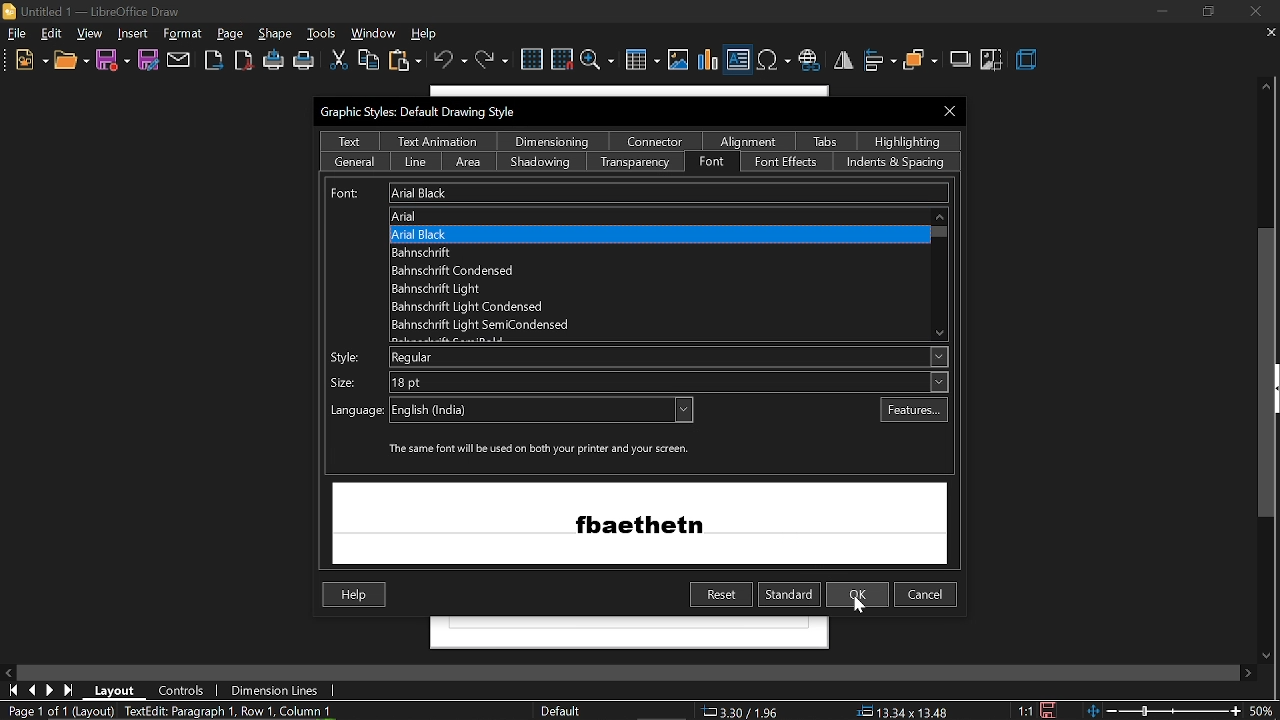 The width and height of the screenshot is (1280, 720). I want to click on dimension lines, so click(273, 692).